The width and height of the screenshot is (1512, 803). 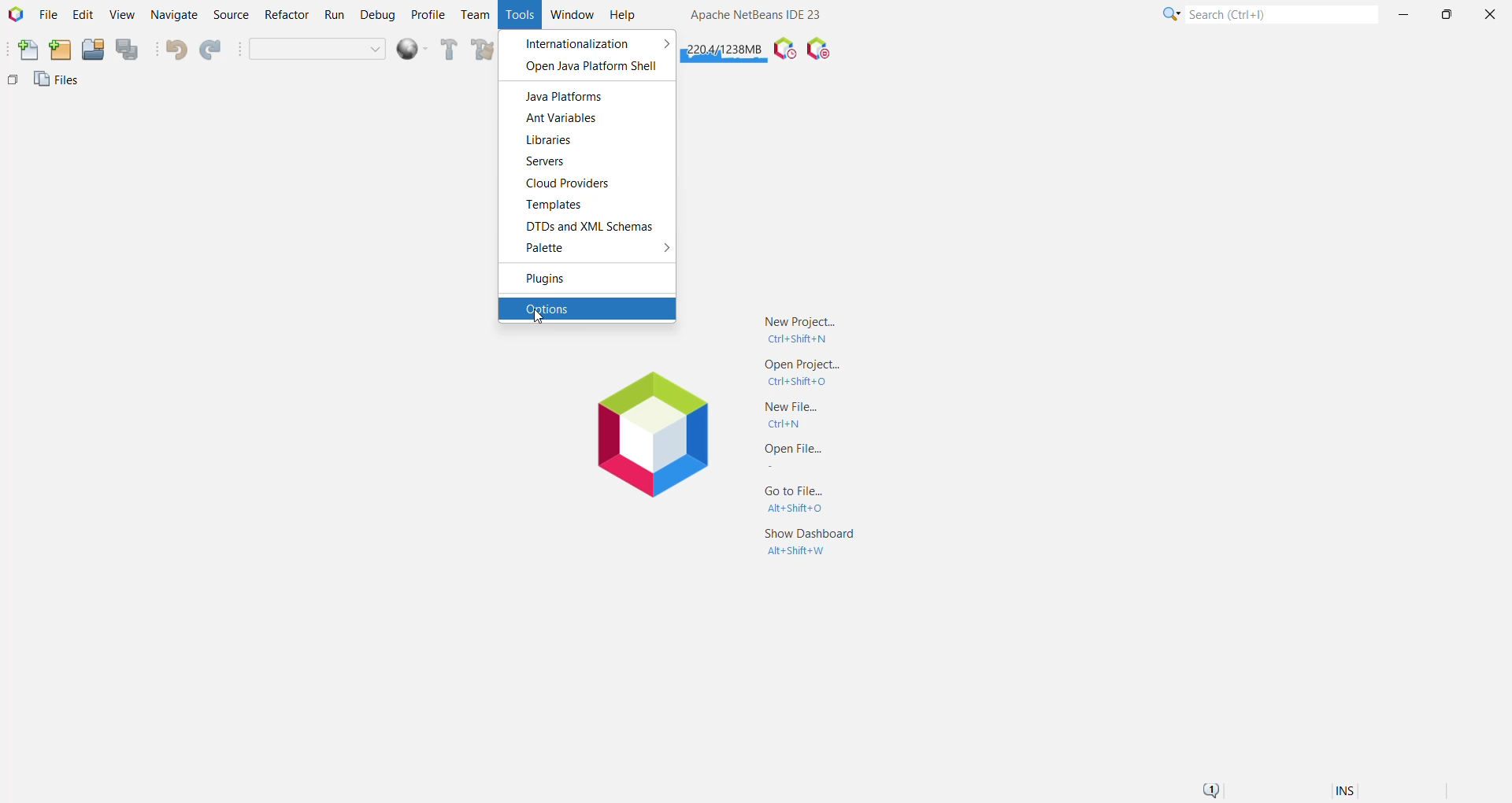 I want to click on Application Logo, so click(x=646, y=427).